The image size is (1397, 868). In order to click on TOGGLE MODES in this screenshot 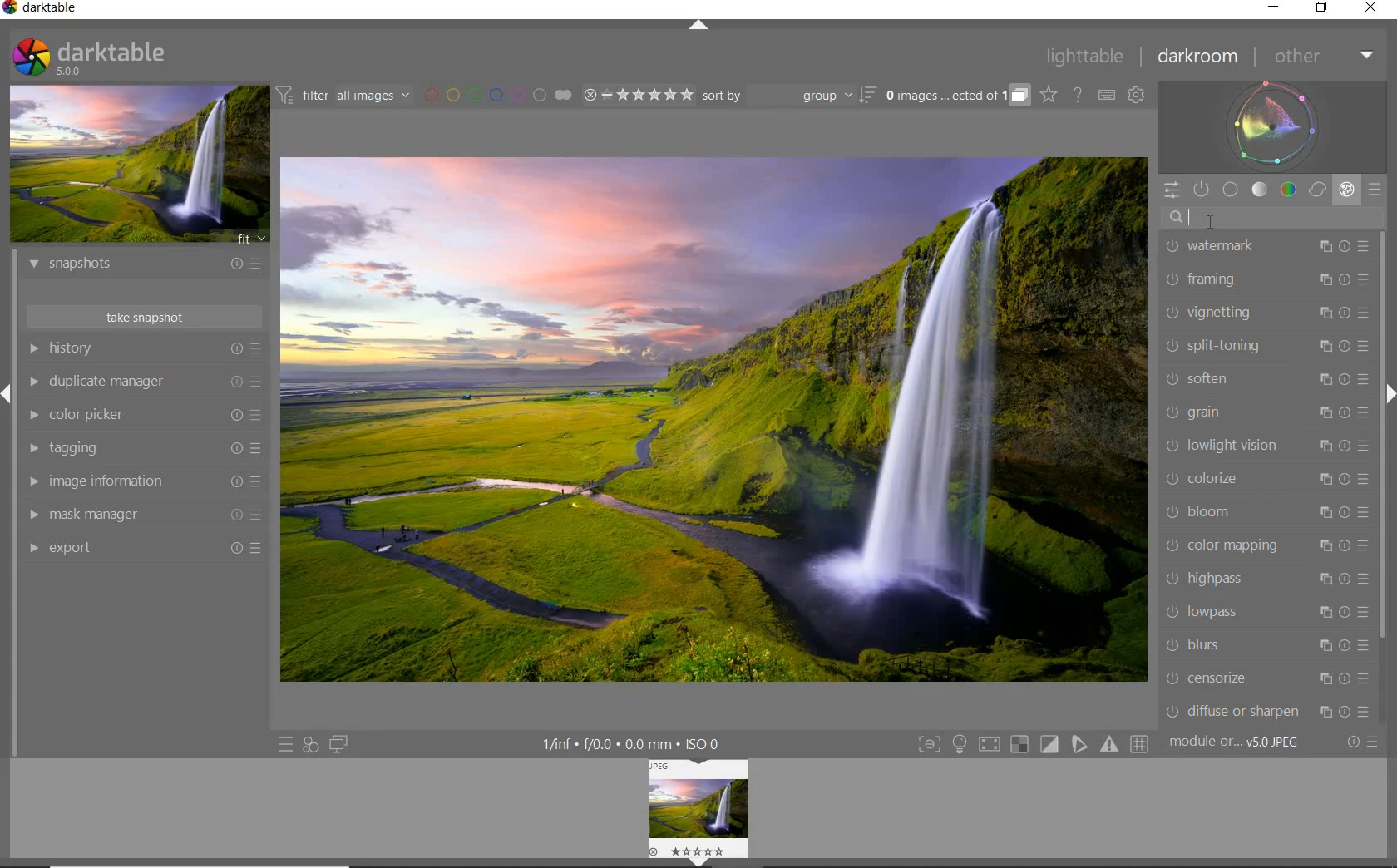, I will do `click(1032, 745)`.